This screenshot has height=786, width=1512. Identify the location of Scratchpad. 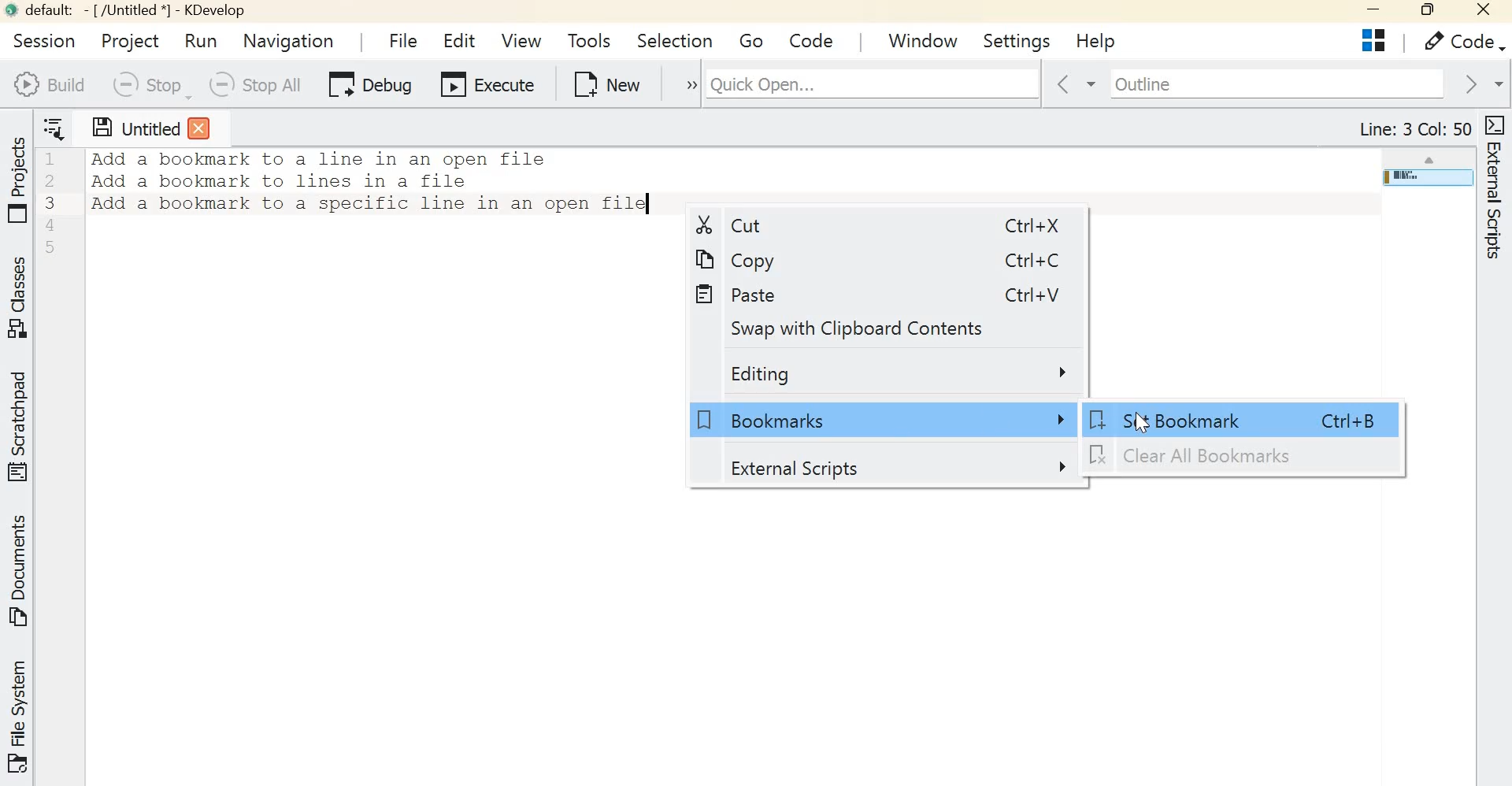
(20, 427).